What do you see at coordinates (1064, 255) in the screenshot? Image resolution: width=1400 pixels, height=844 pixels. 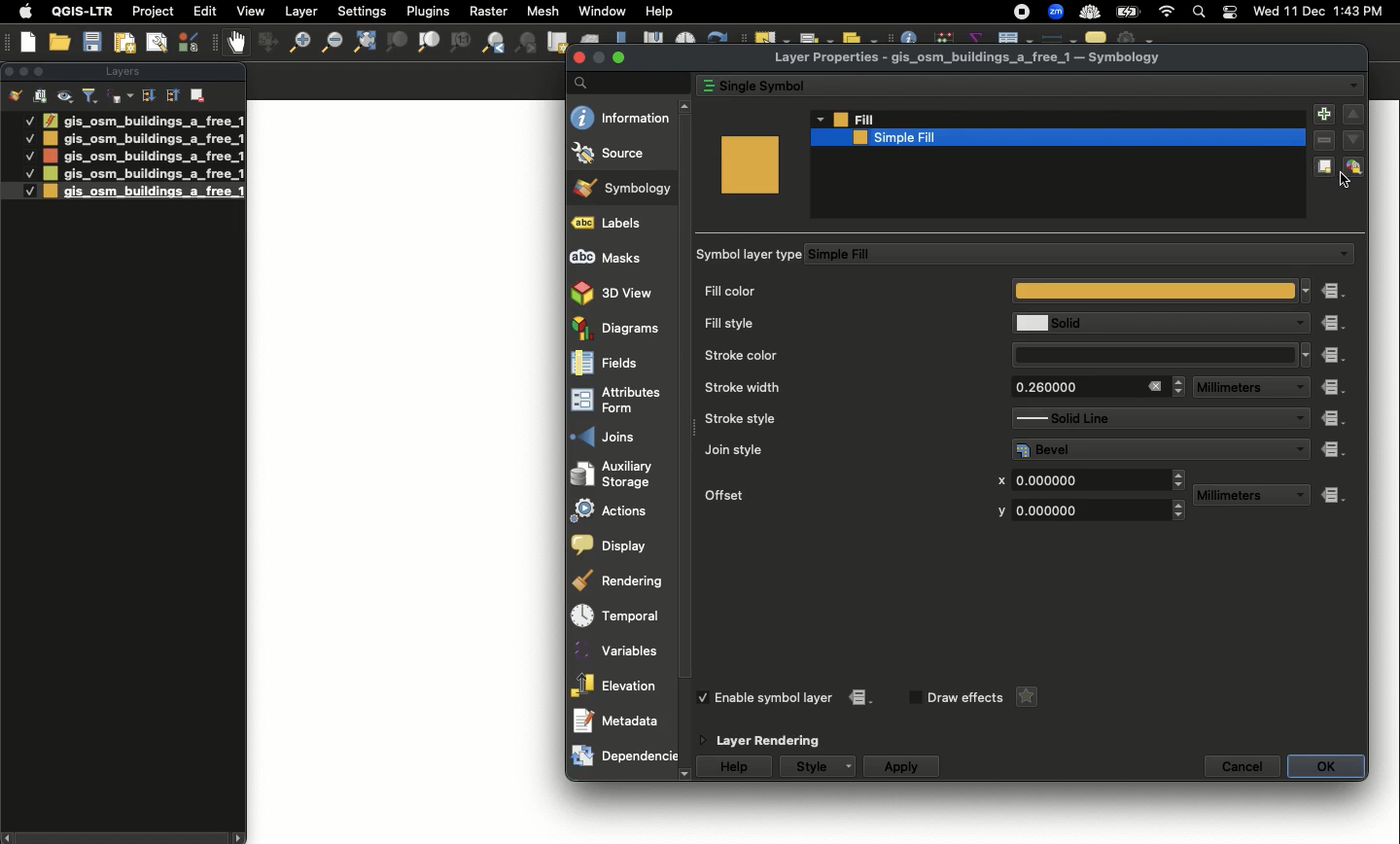 I see `Simple Fill` at bounding box center [1064, 255].